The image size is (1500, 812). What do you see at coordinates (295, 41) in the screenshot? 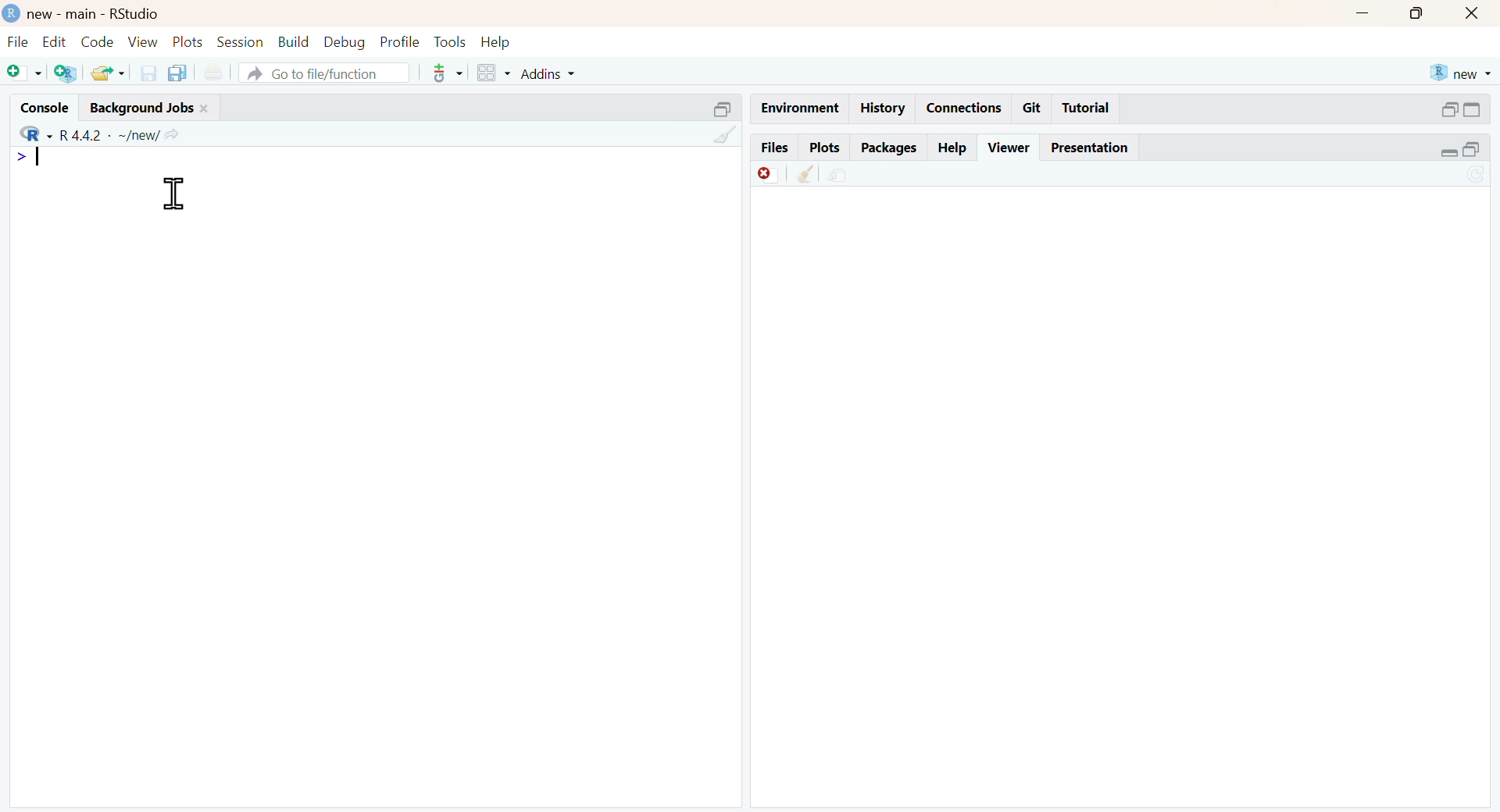
I see `build` at bounding box center [295, 41].